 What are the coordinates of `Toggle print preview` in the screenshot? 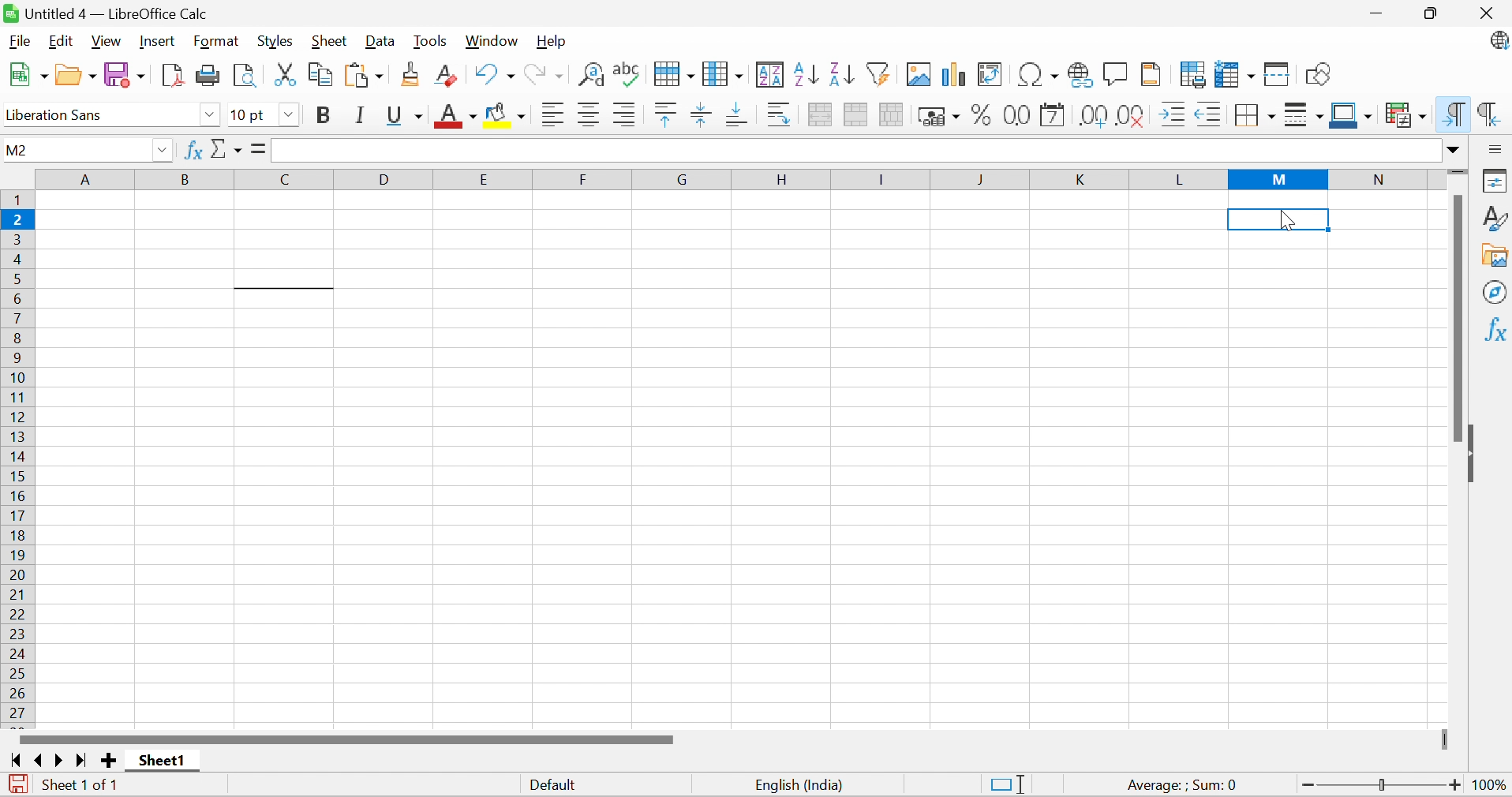 It's located at (245, 77).